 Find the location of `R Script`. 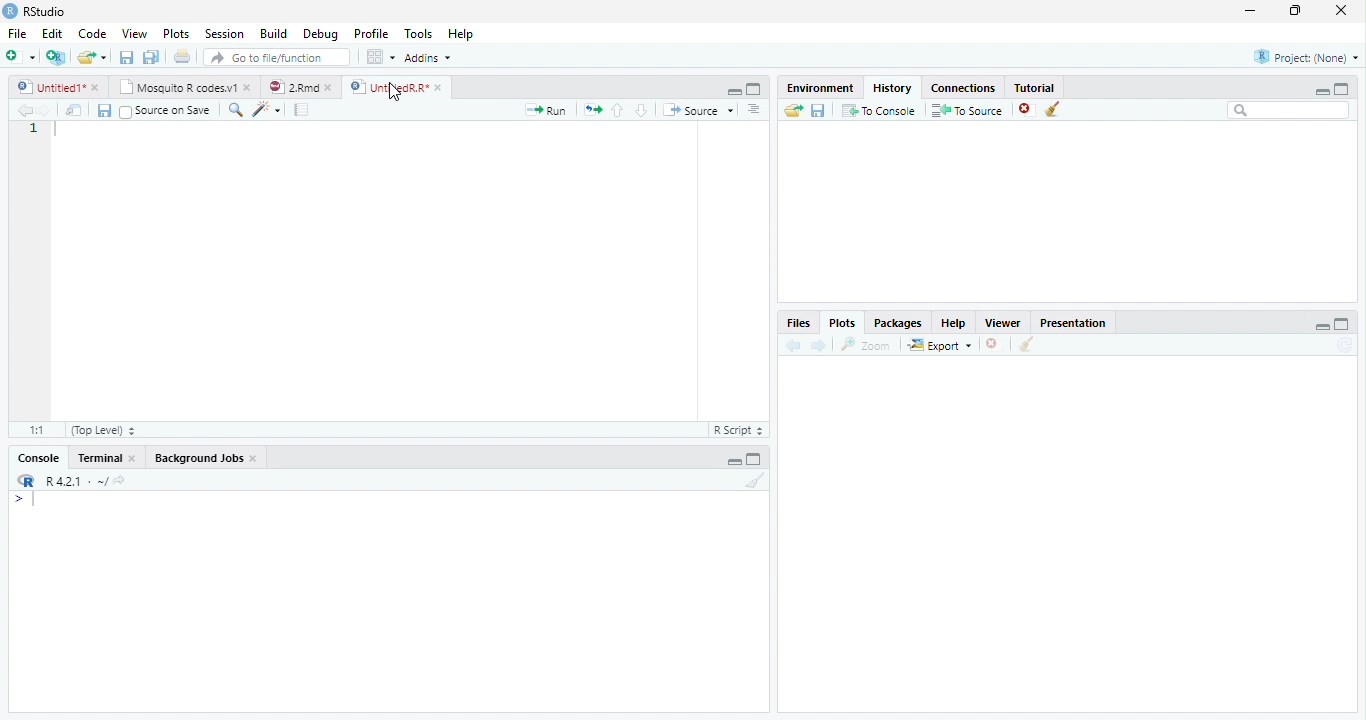

R Script is located at coordinates (741, 430).